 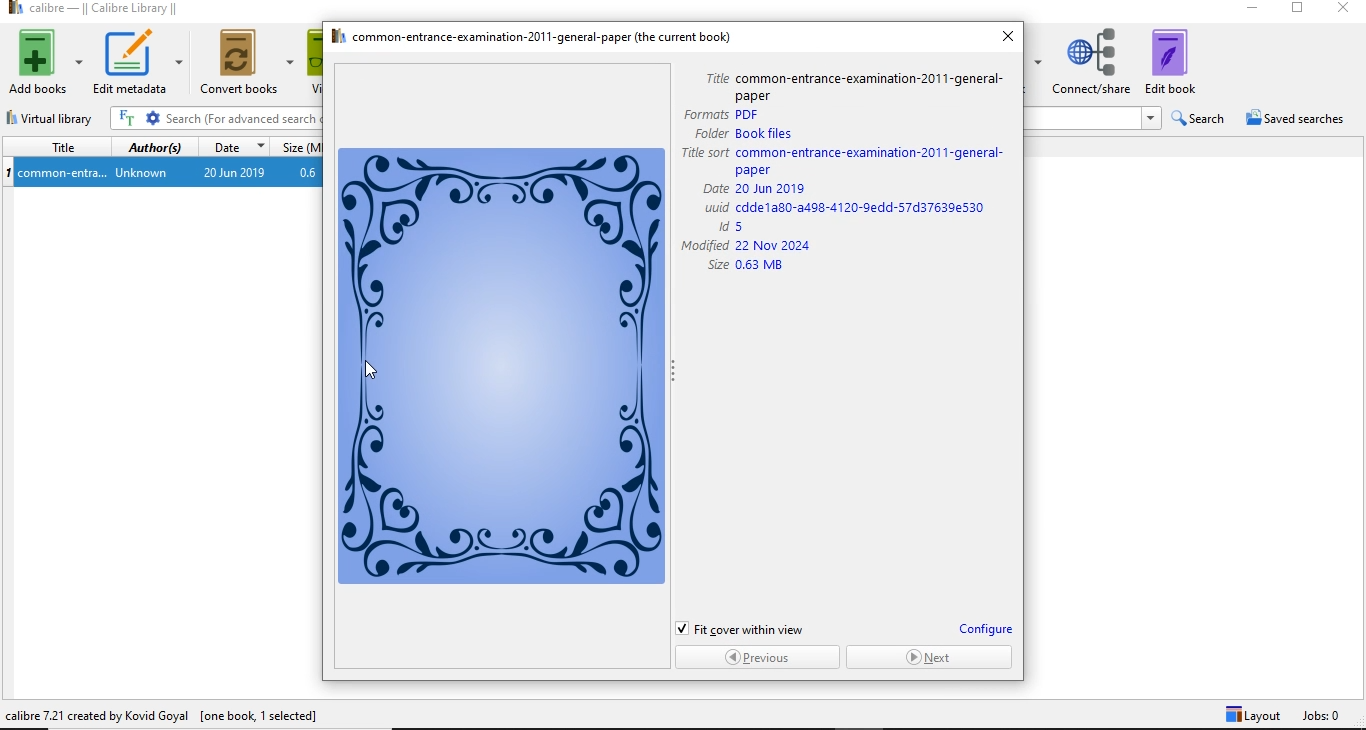 What do you see at coordinates (1332, 716) in the screenshot?
I see `Jobs: 0` at bounding box center [1332, 716].